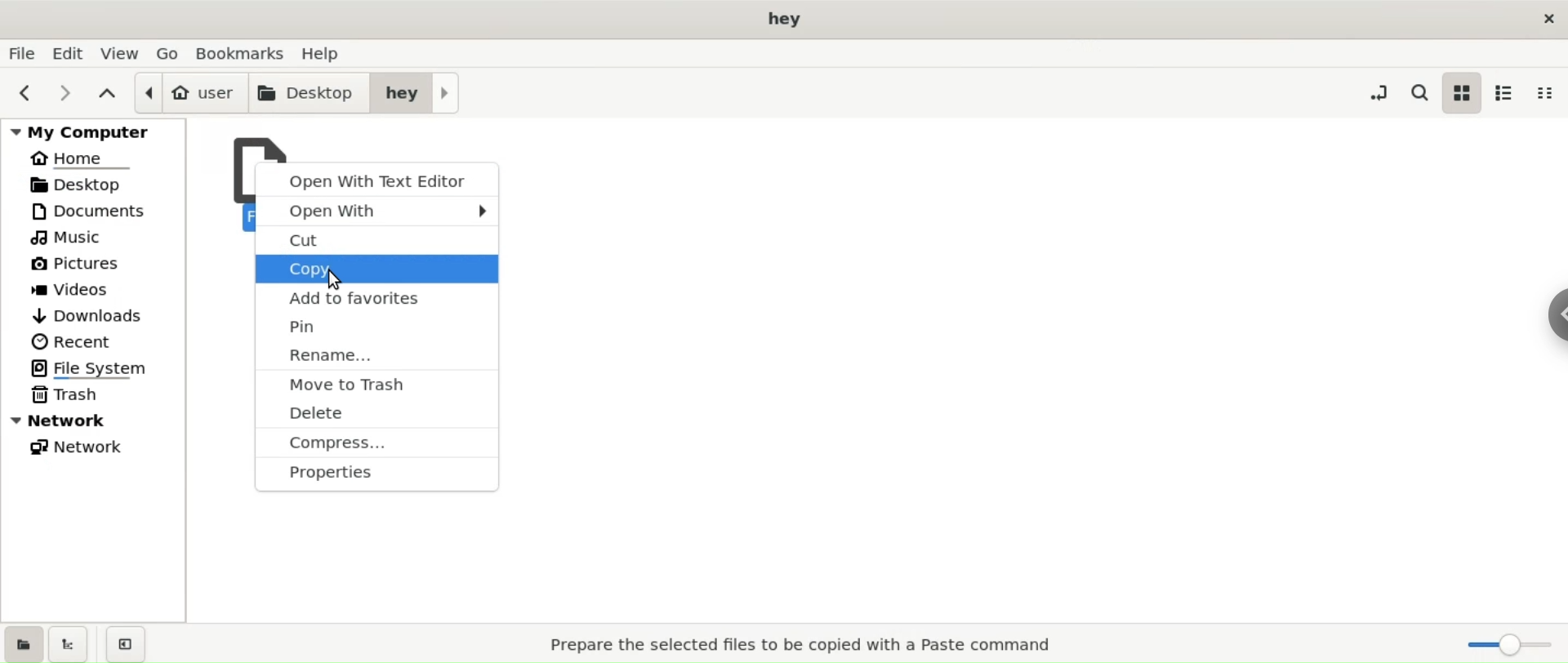 The image size is (1568, 663). What do you see at coordinates (96, 420) in the screenshot?
I see `network` at bounding box center [96, 420].